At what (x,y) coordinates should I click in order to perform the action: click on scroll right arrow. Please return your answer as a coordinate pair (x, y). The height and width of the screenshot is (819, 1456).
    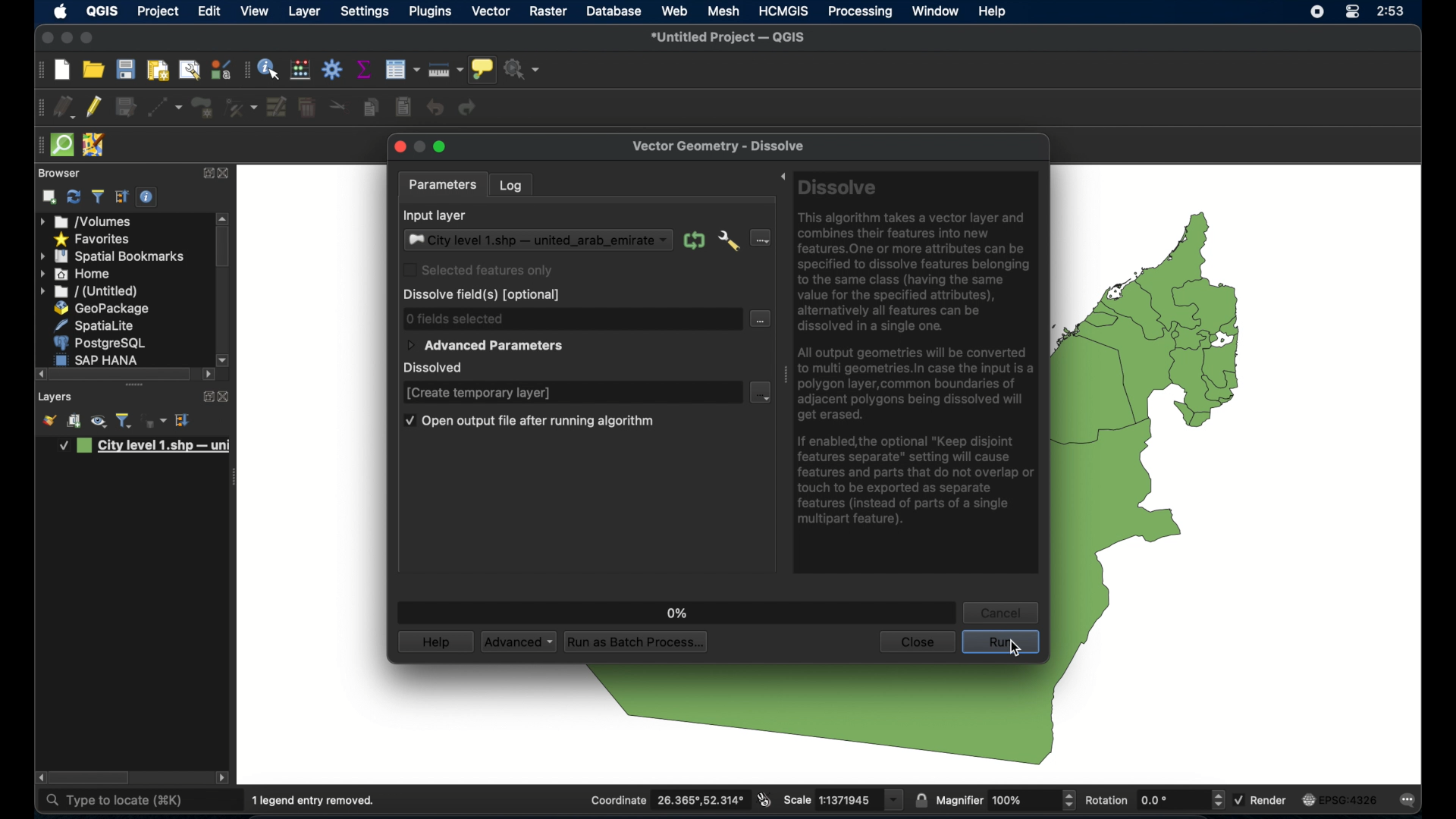
    Looking at the image, I should click on (39, 778).